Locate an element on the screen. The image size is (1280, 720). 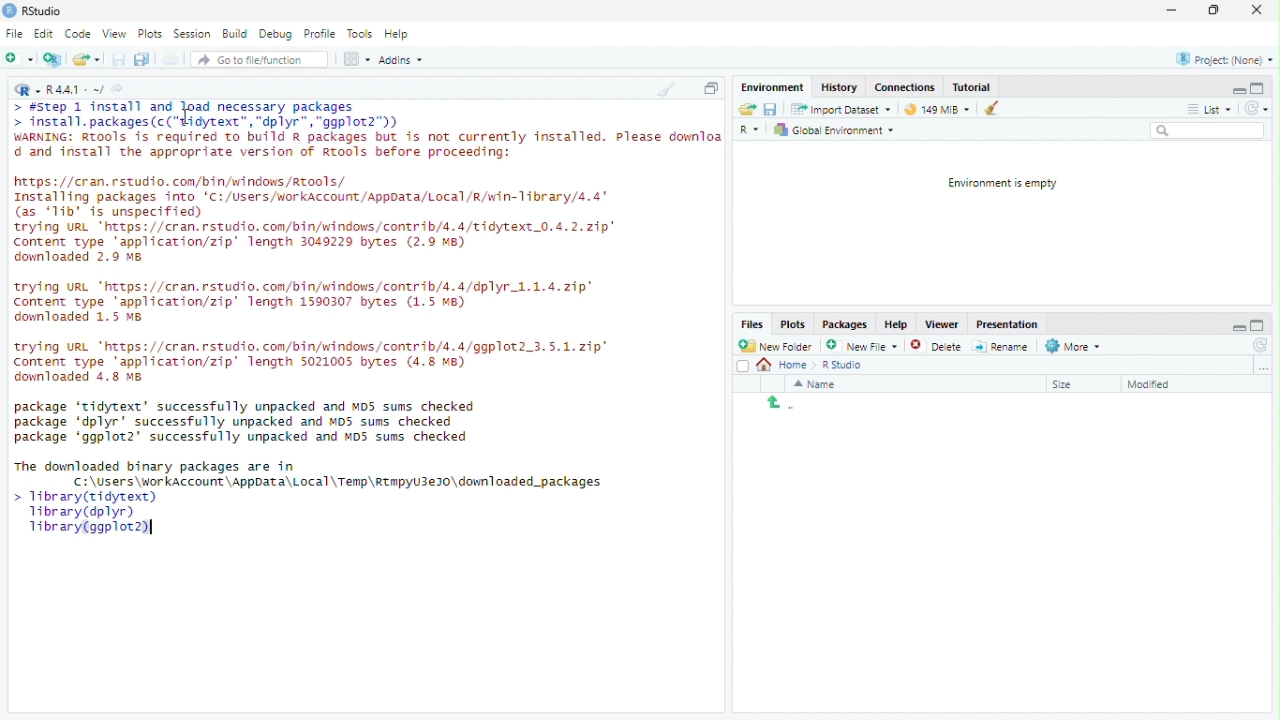
Minimize is located at coordinates (1170, 10).